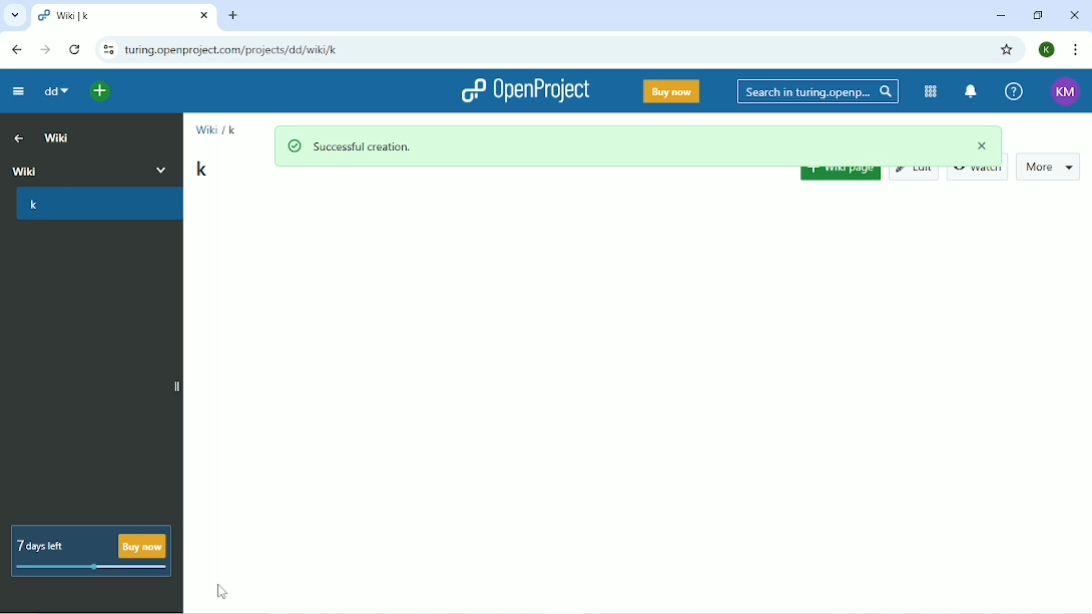  I want to click on To notification center, so click(971, 91).